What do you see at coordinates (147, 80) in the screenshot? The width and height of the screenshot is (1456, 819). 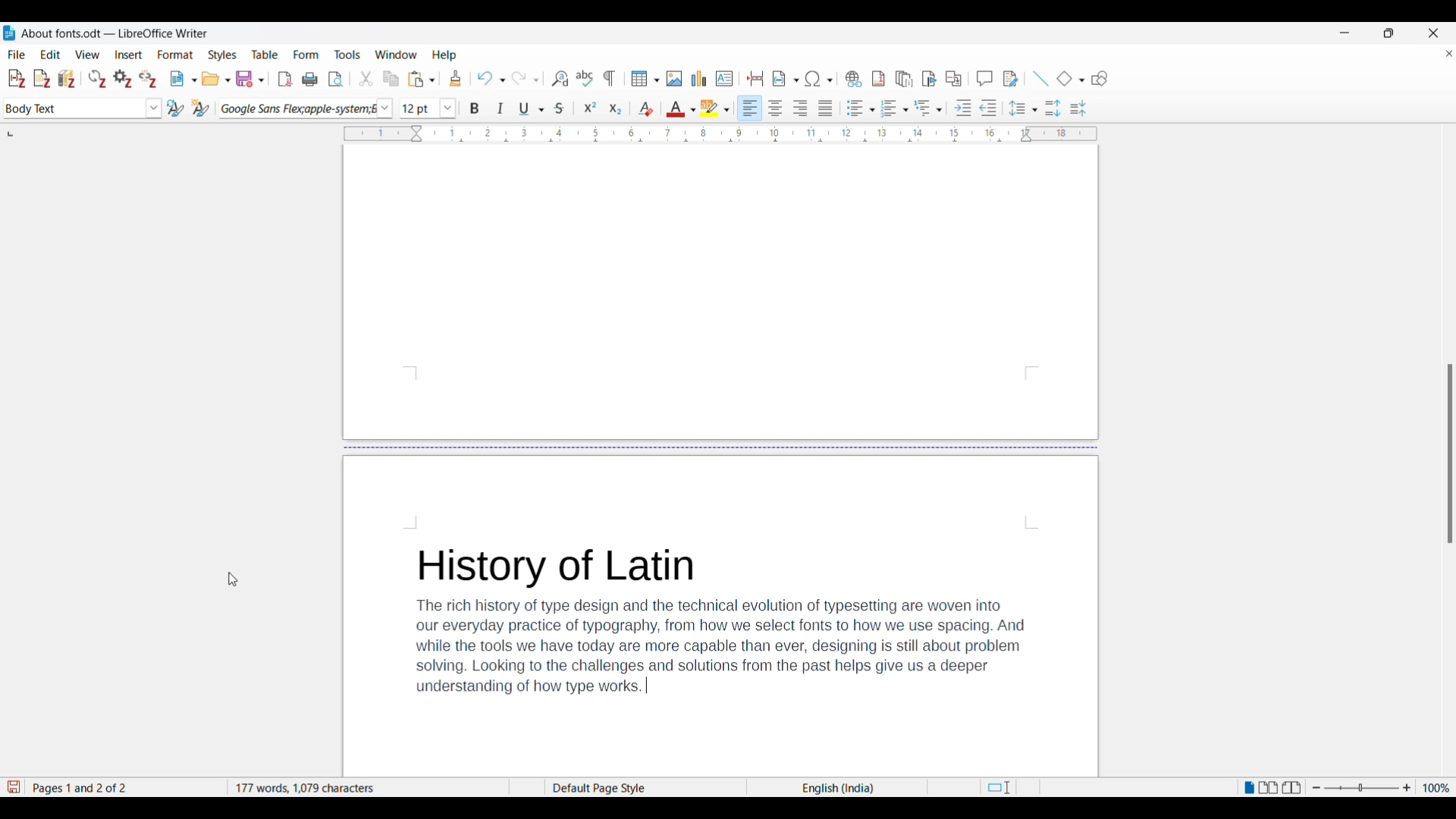 I see `Unlink citations` at bounding box center [147, 80].